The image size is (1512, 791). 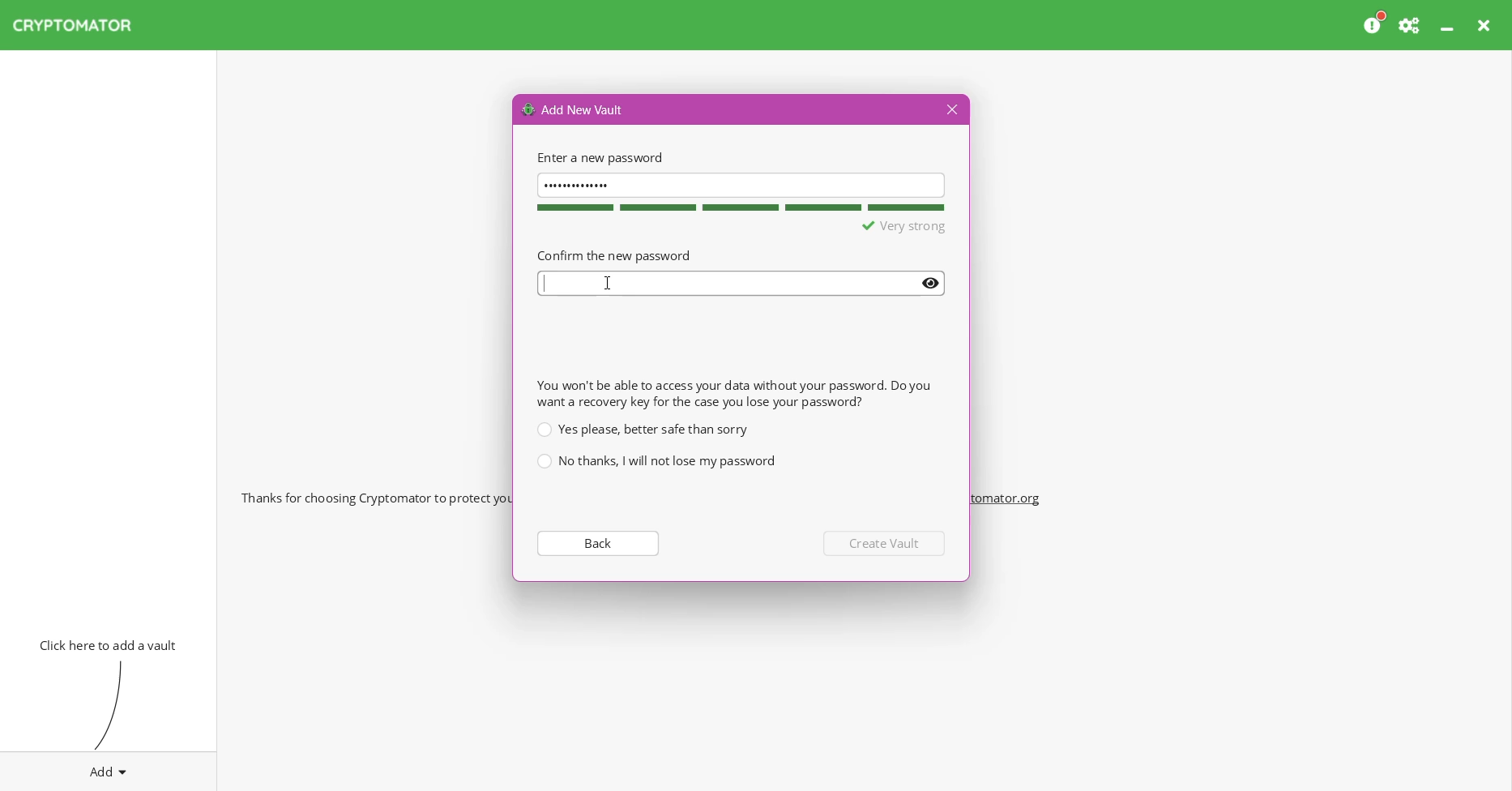 I want to click on Yes please, better safe than sorry, so click(x=642, y=429).